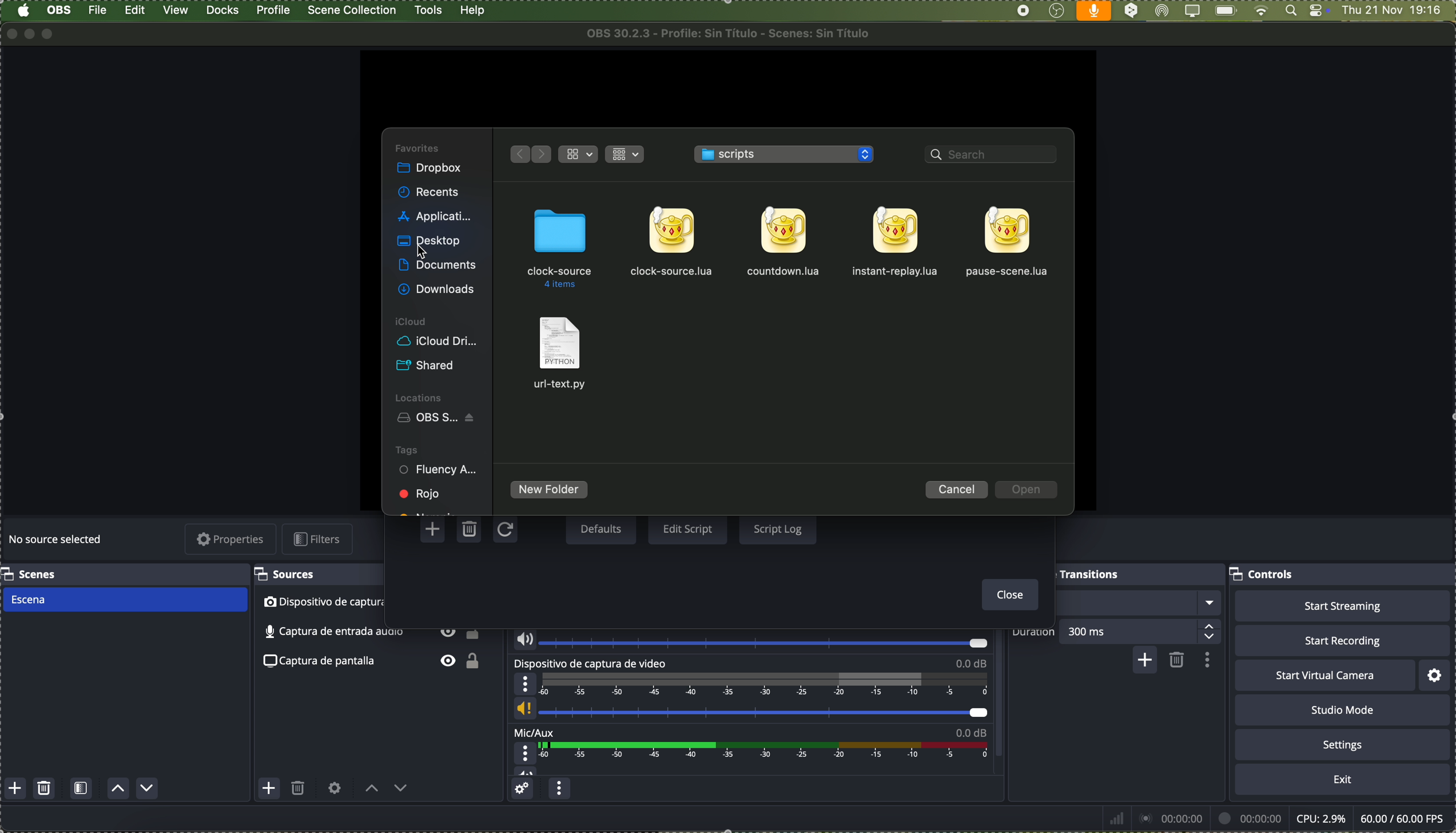 The height and width of the screenshot is (833, 1456). I want to click on remove selected scene, so click(45, 789).